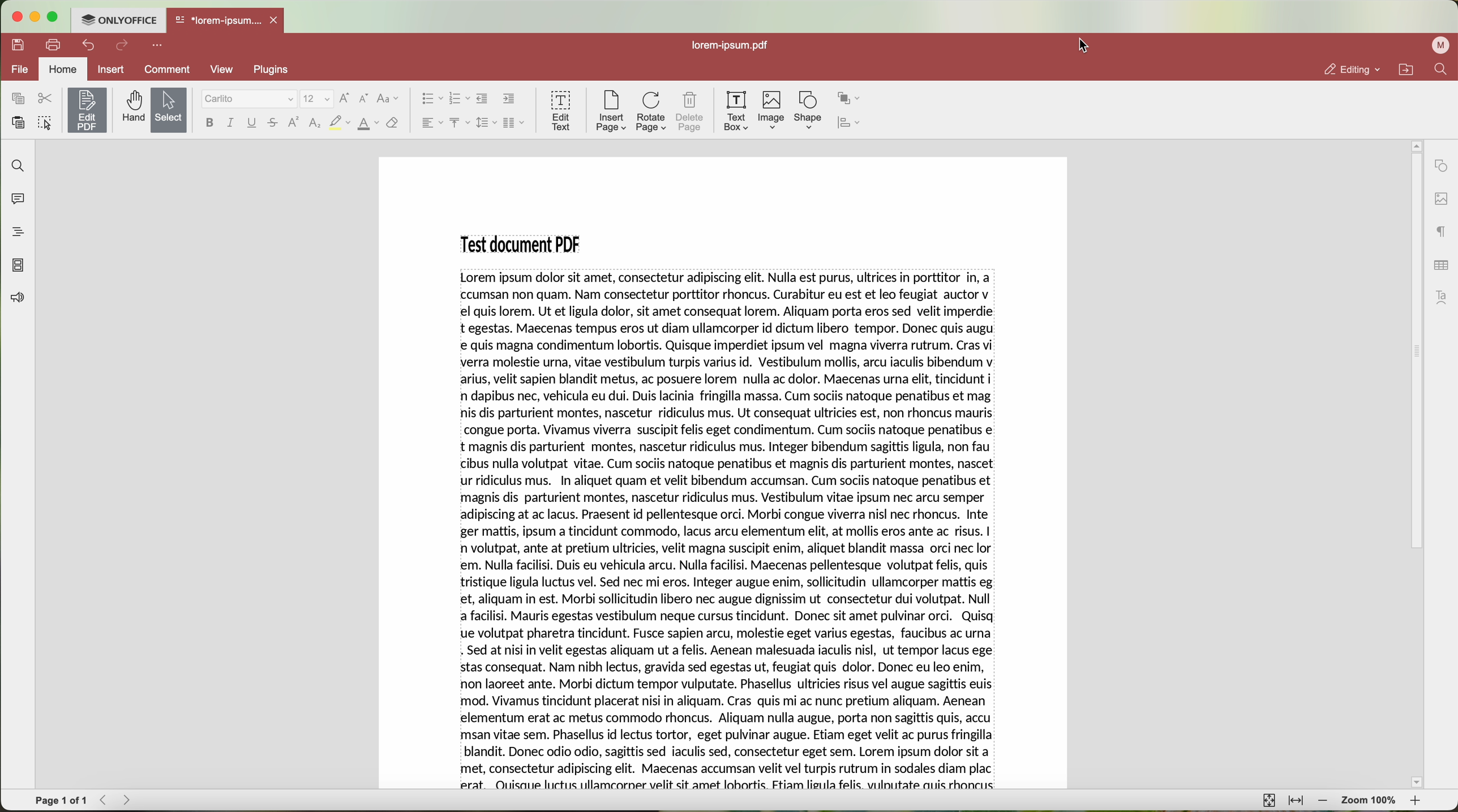  Describe the element at coordinates (1442, 46) in the screenshot. I see `profile user` at that location.